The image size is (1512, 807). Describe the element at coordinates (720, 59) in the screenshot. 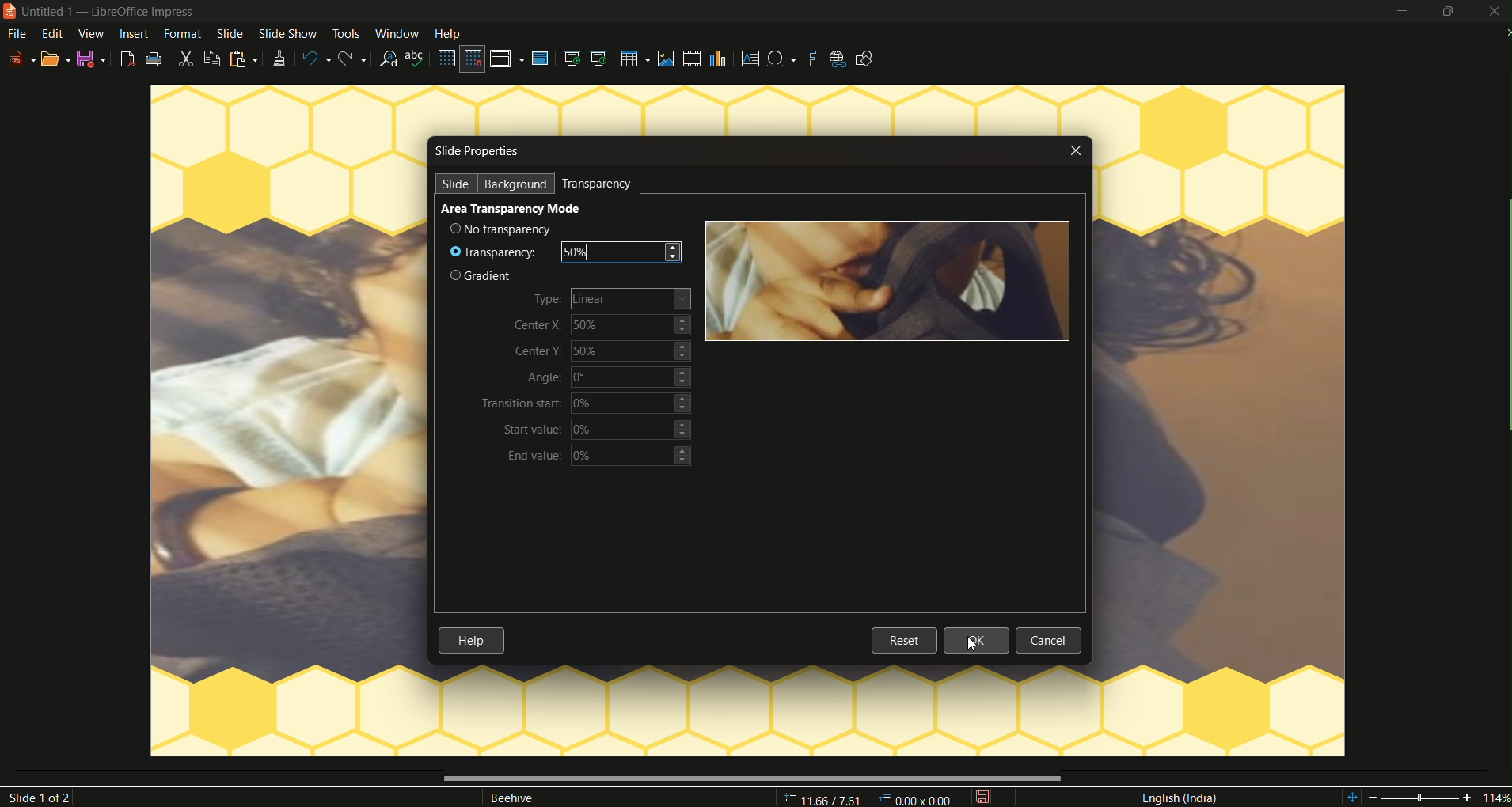

I see `insert chart` at that location.